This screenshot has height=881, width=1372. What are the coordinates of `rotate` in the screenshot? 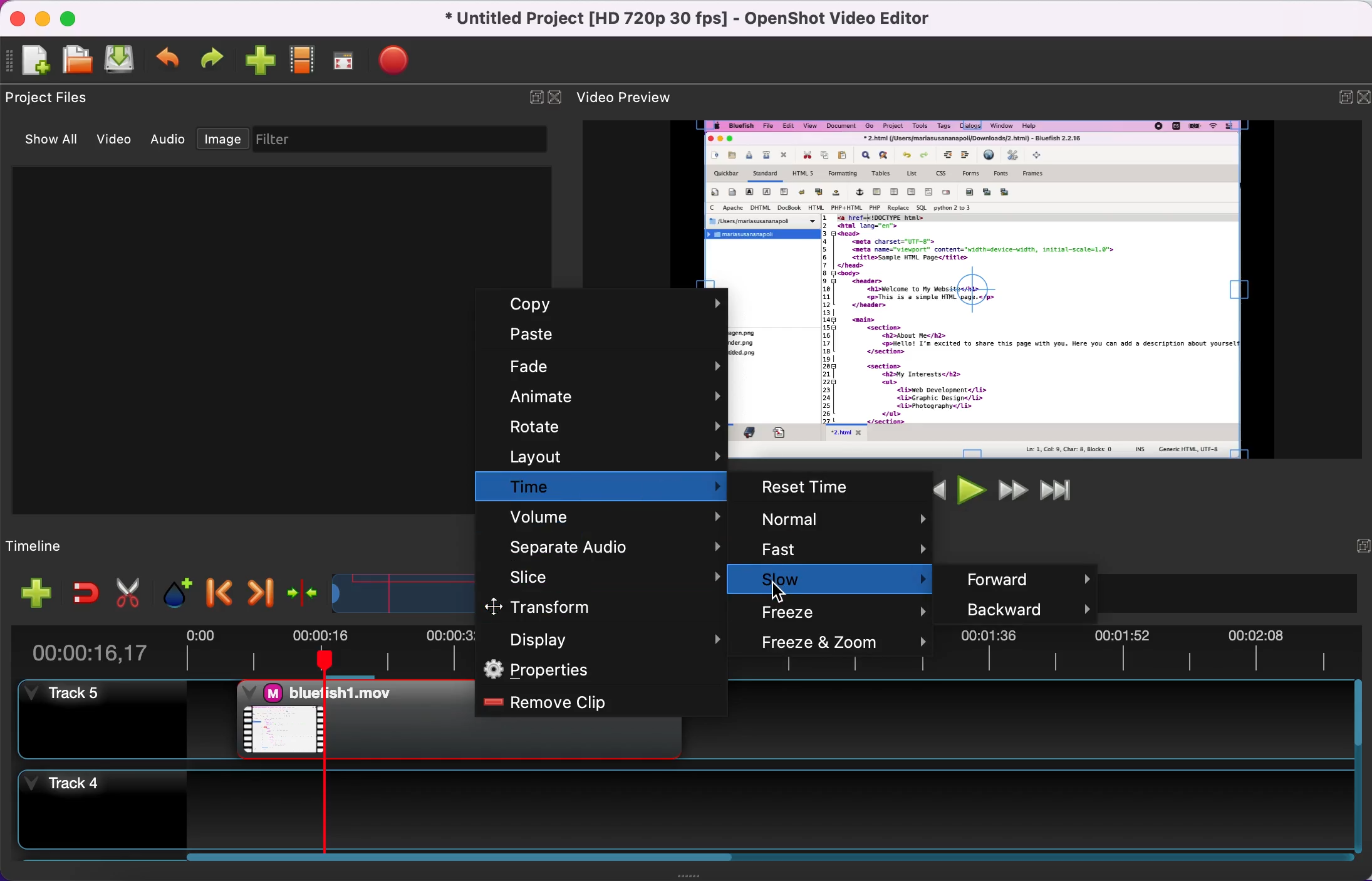 It's located at (603, 427).